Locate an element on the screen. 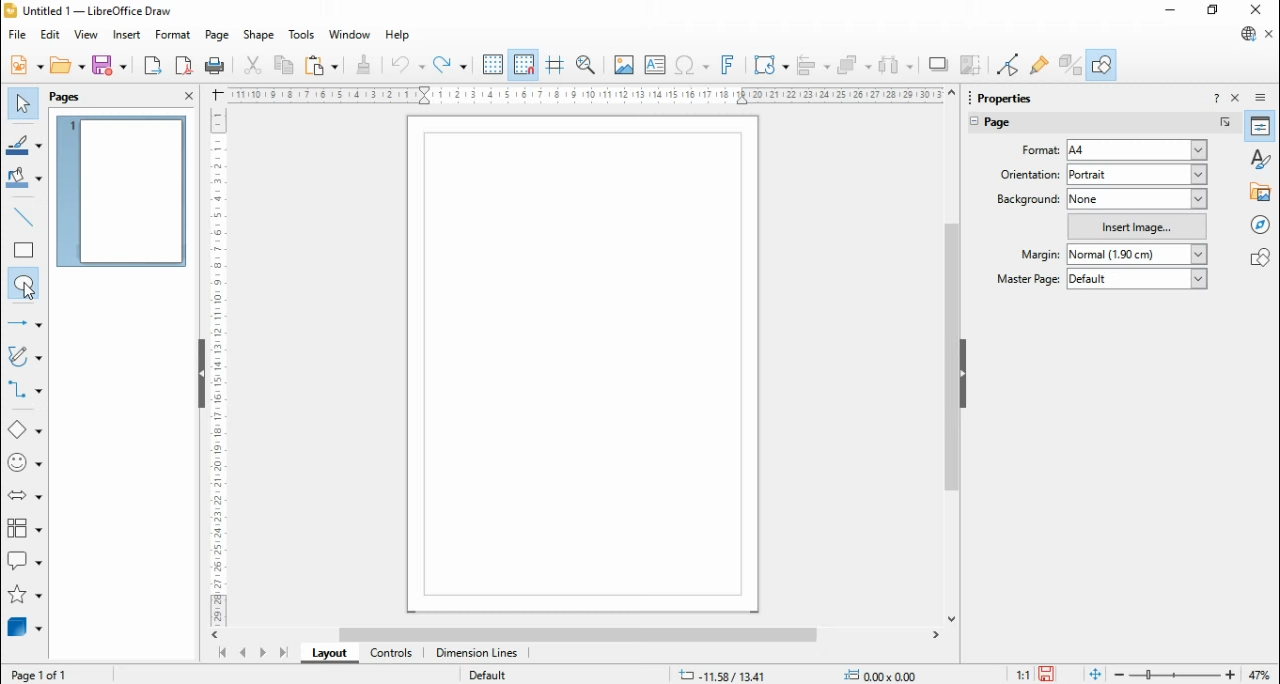 Image resolution: width=1280 pixels, height=684 pixels. current zoom level is located at coordinates (1259, 675).